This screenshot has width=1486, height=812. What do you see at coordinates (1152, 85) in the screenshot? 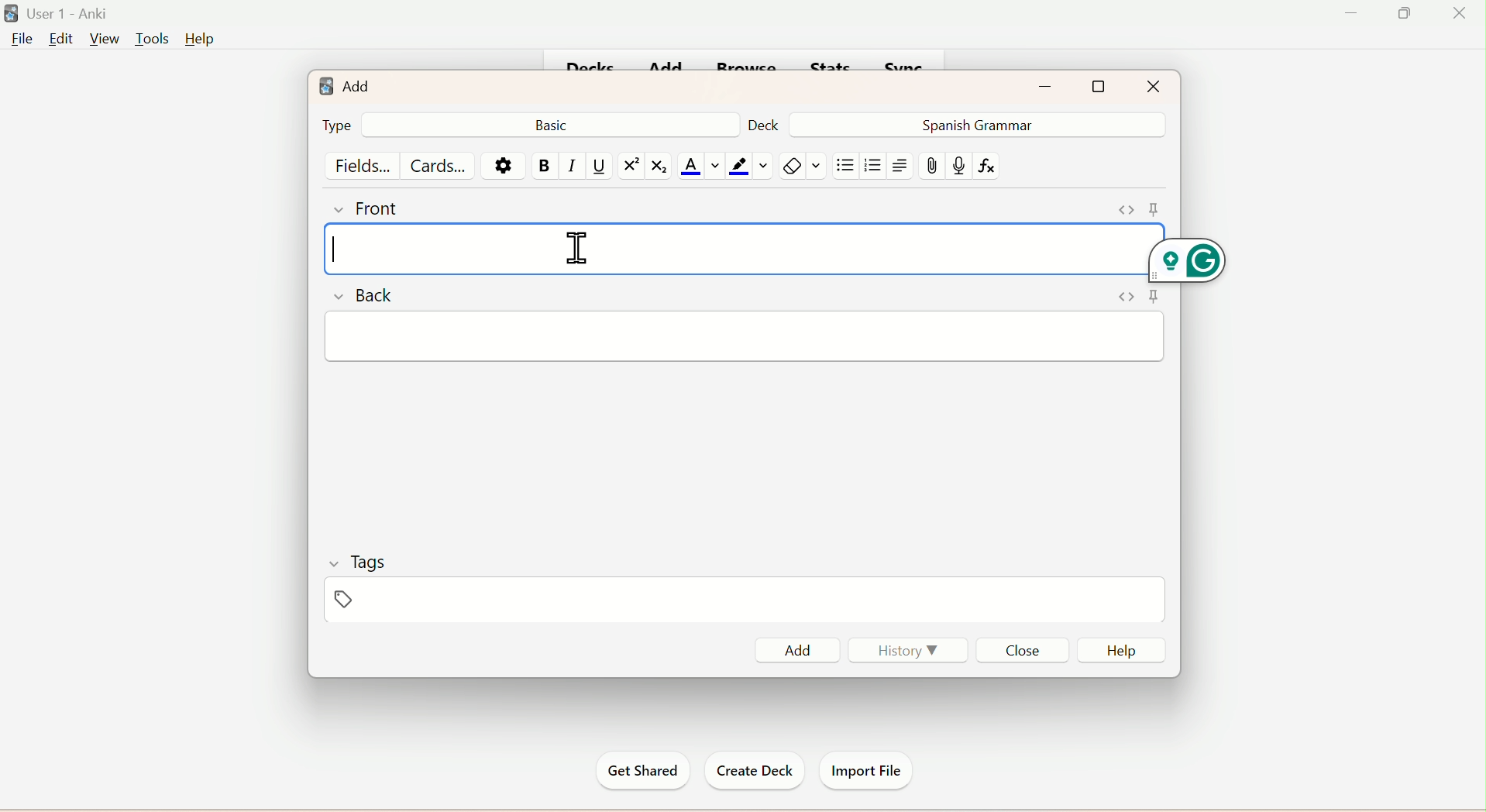
I see `Close` at bounding box center [1152, 85].